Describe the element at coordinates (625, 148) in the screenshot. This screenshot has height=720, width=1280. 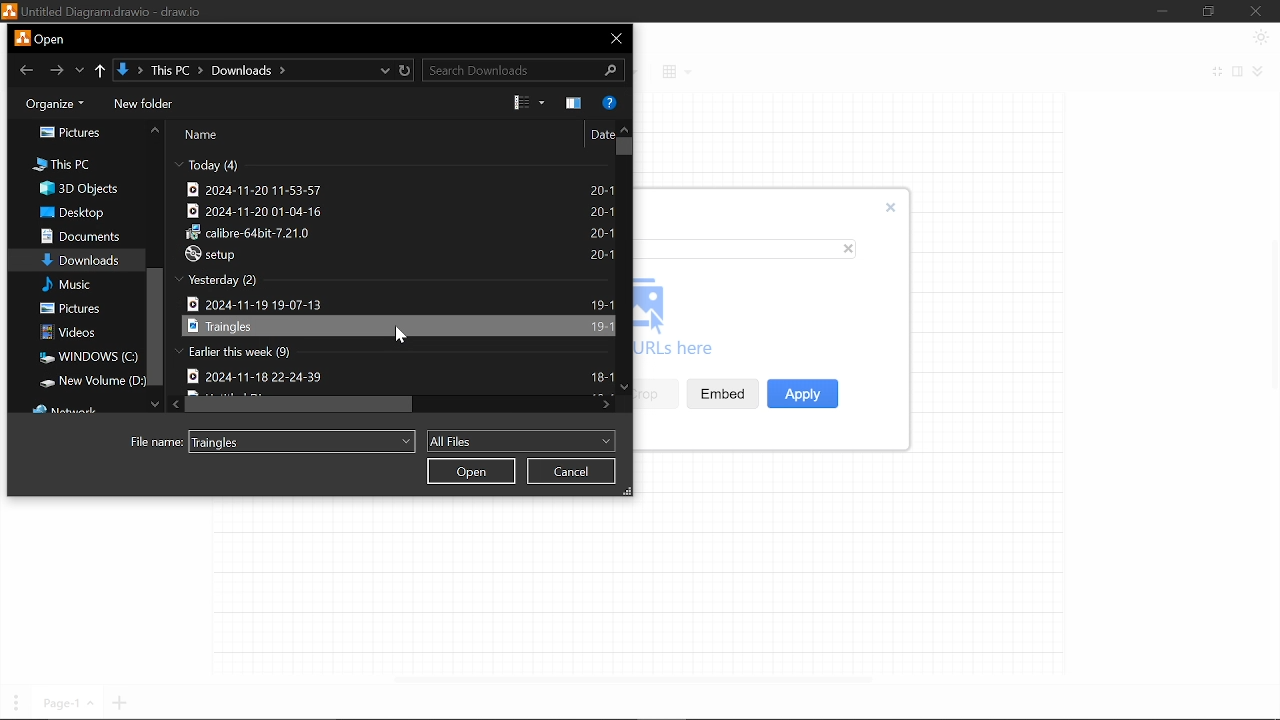
I see `vertical scrollbar for files in "Download"` at that location.